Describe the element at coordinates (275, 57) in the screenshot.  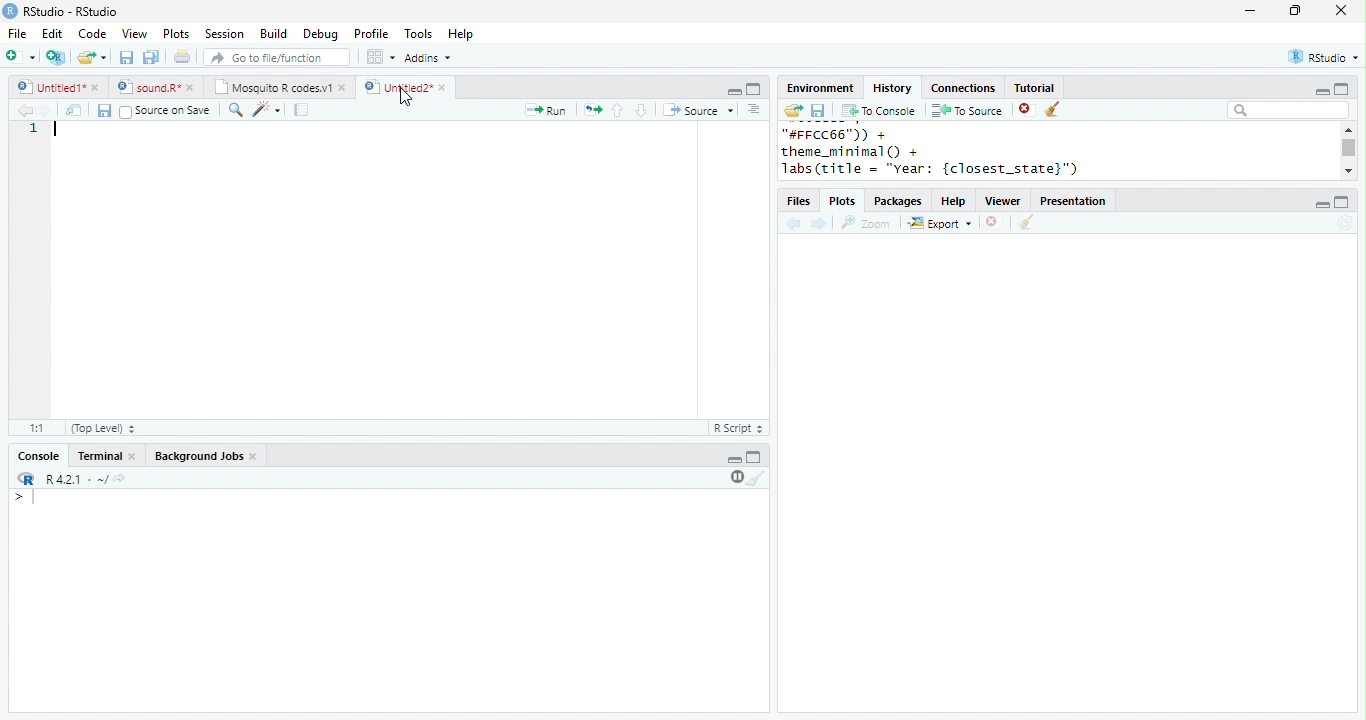
I see `search file` at that location.